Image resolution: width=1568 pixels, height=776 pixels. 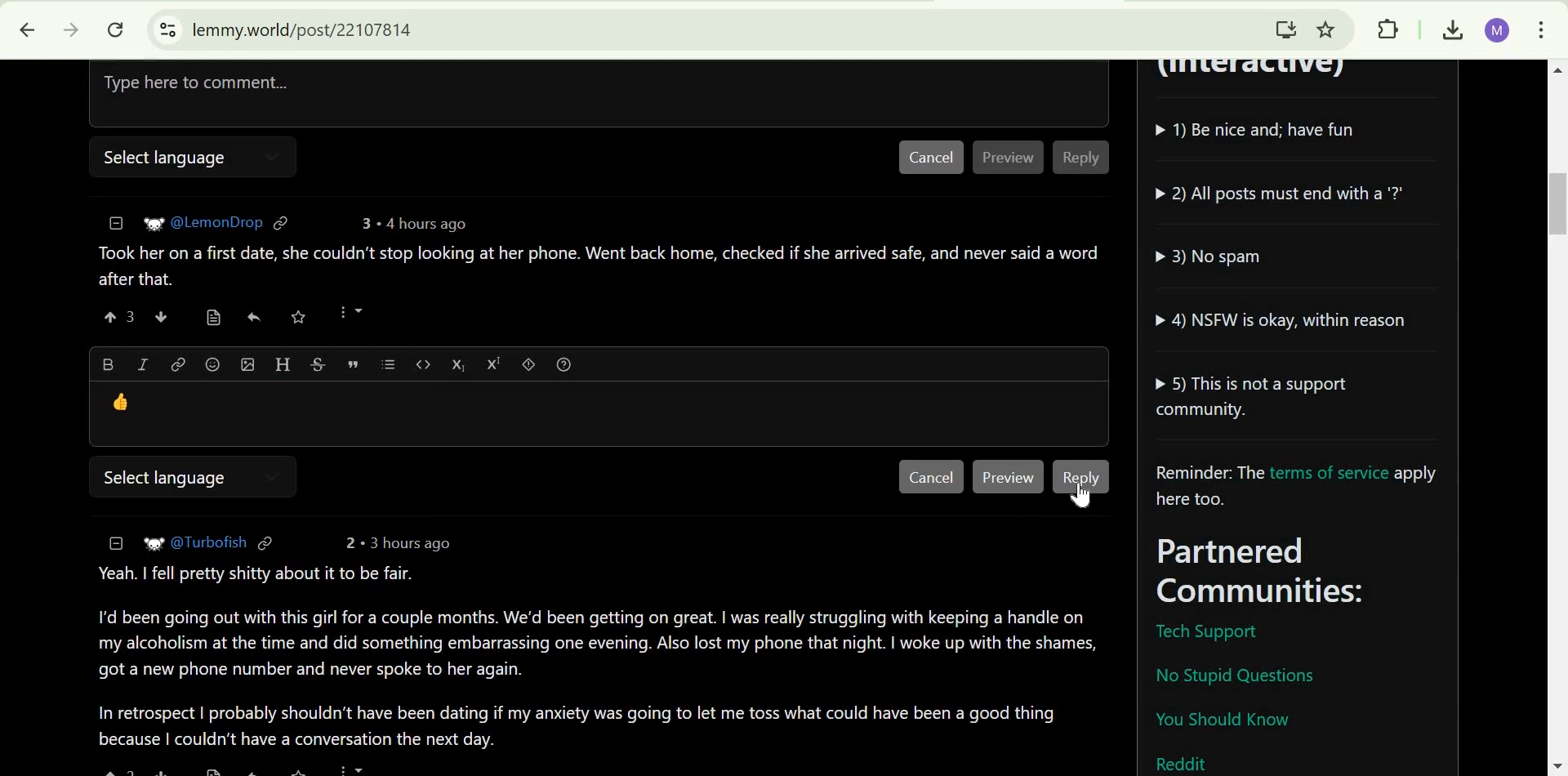 What do you see at coordinates (529, 363) in the screenshot?
I see `spoiler` at bounding box center [529, 363].